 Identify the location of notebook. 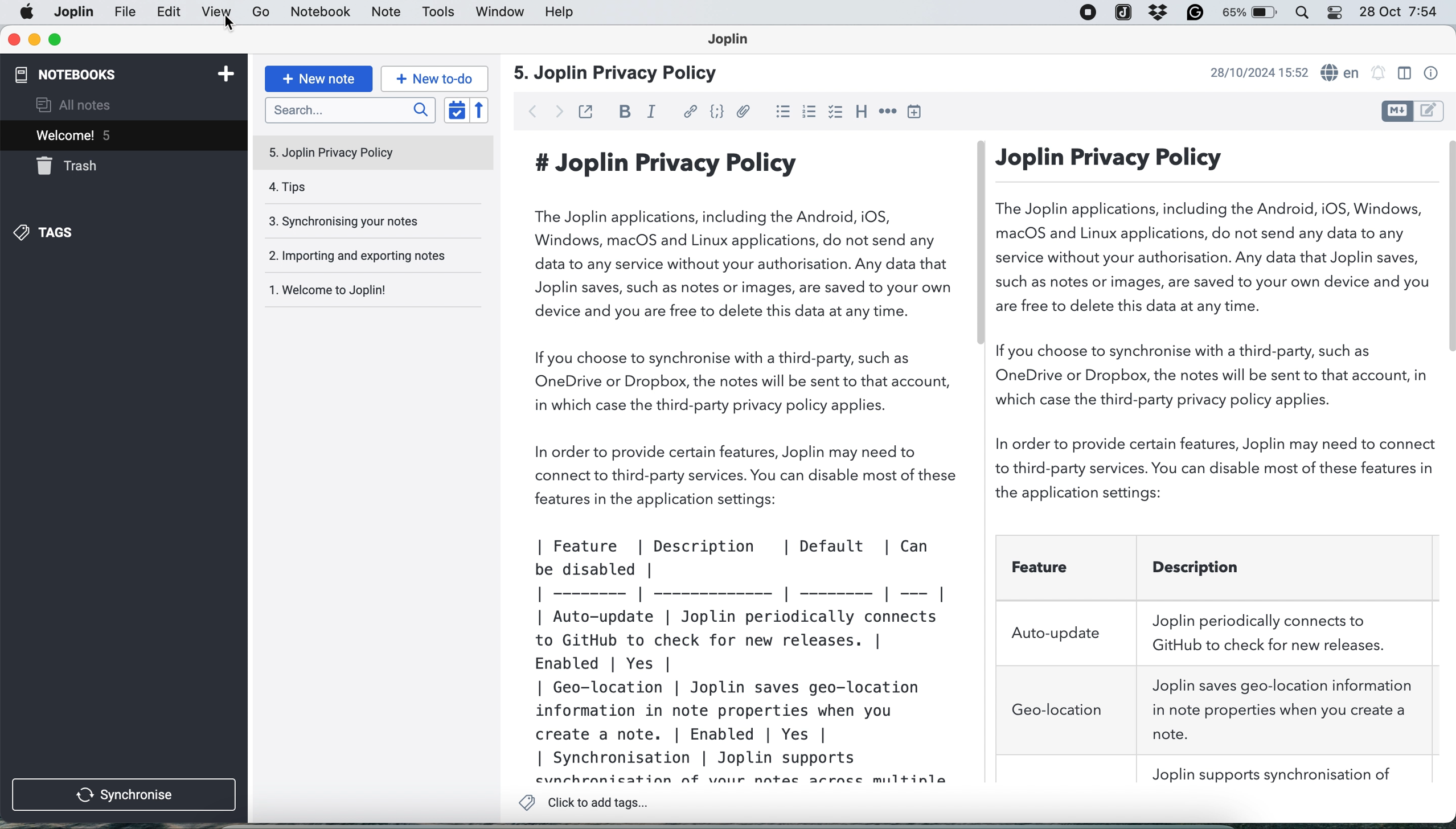
(323, 13).